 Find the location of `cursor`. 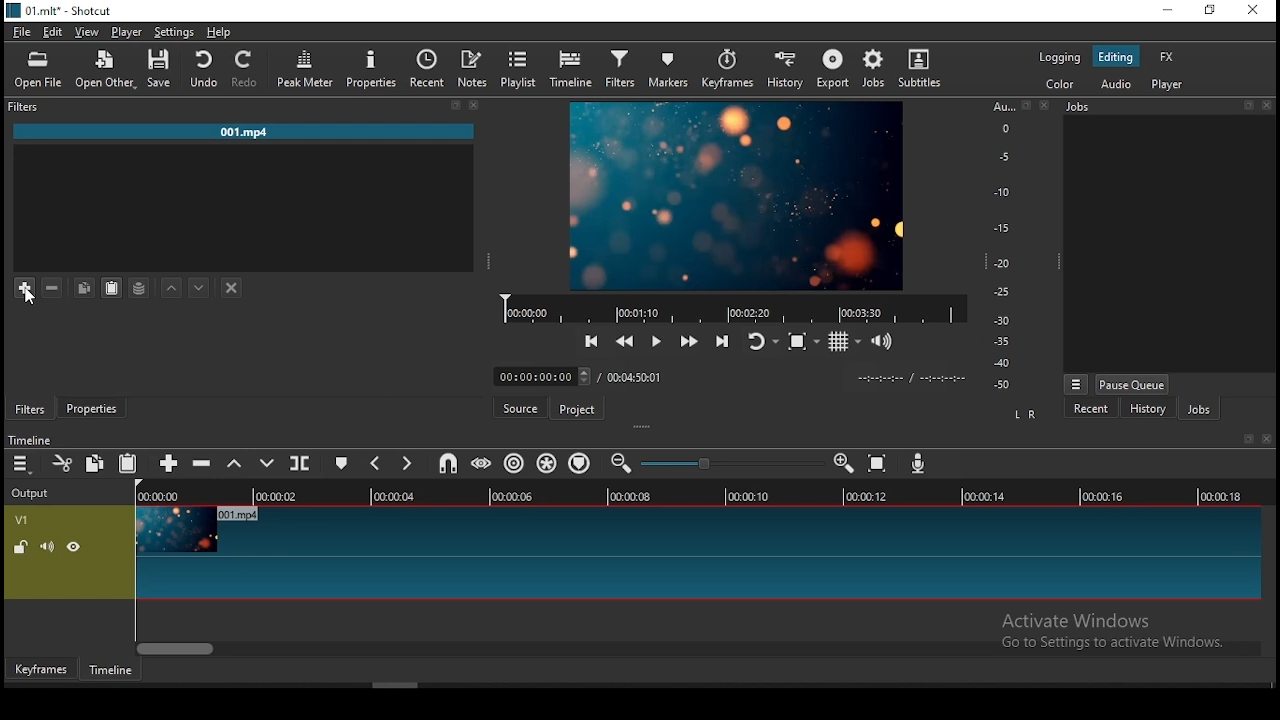

cursor is located at coordinates (29, 300).